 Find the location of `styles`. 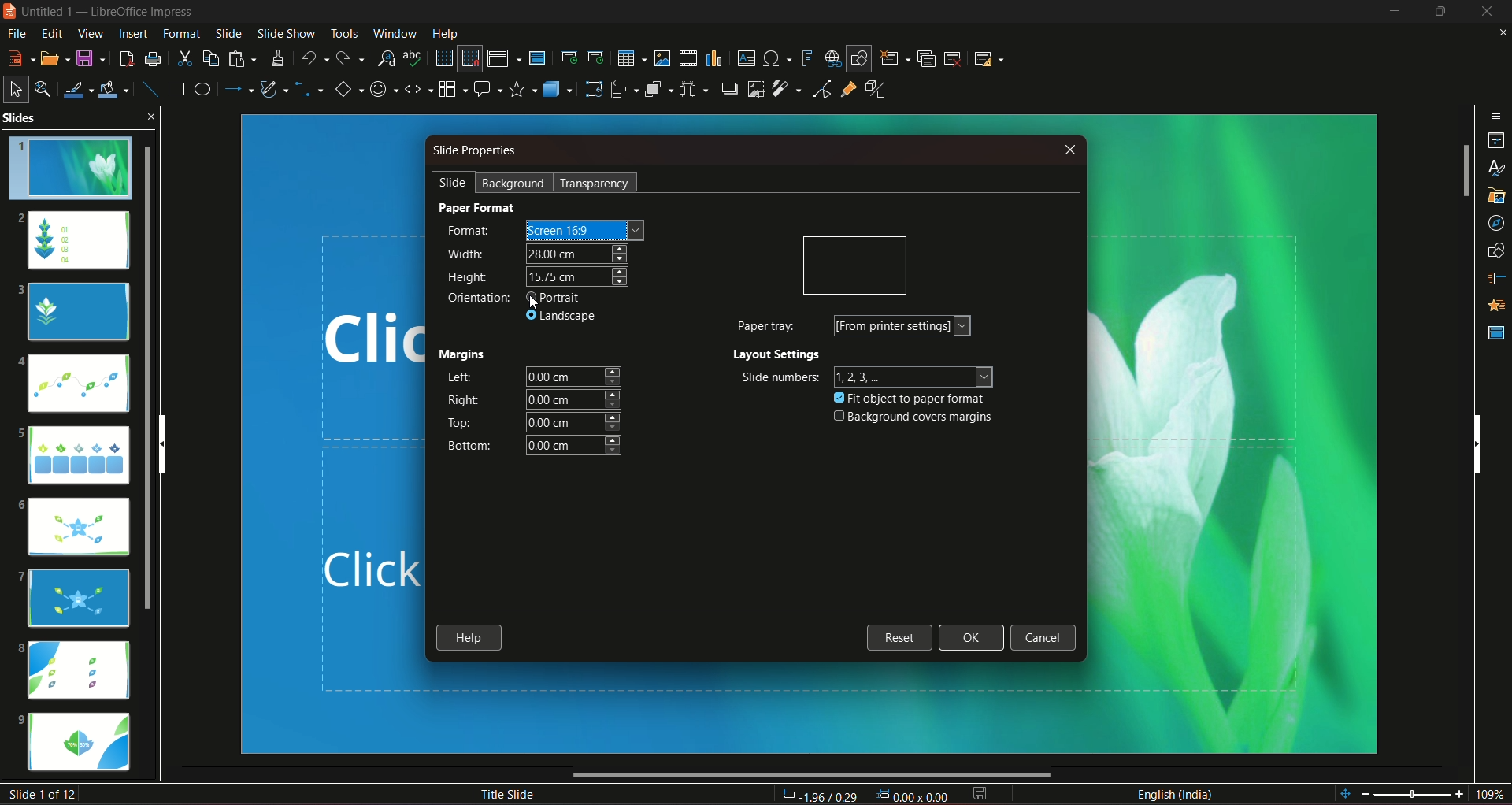

styles is located at coordinates (1493, 168).